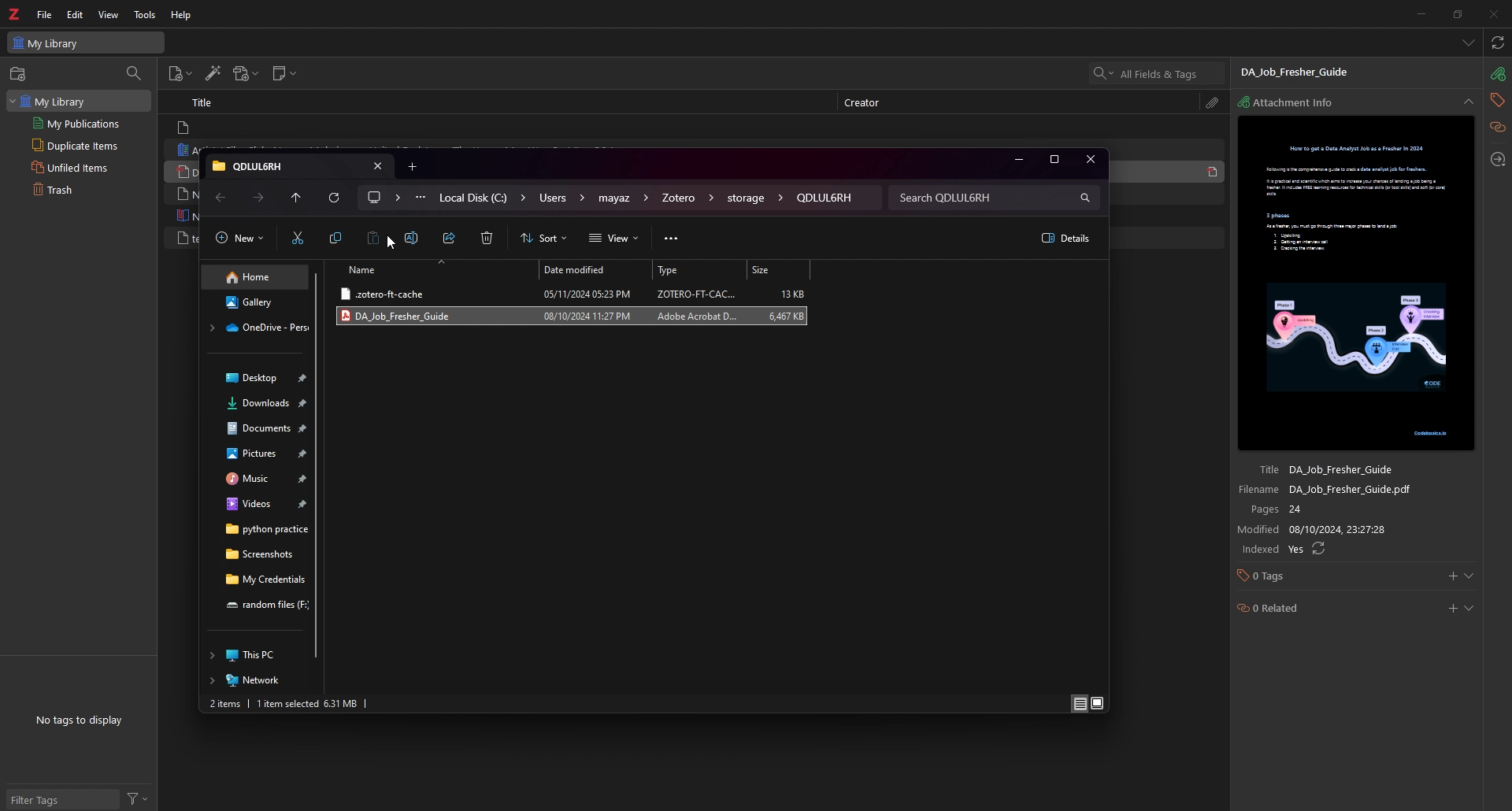 This screenshot has width=1512, height=811. Describe the element at coordinates (335, 240) in the screenshot. I see `copy` at that location.